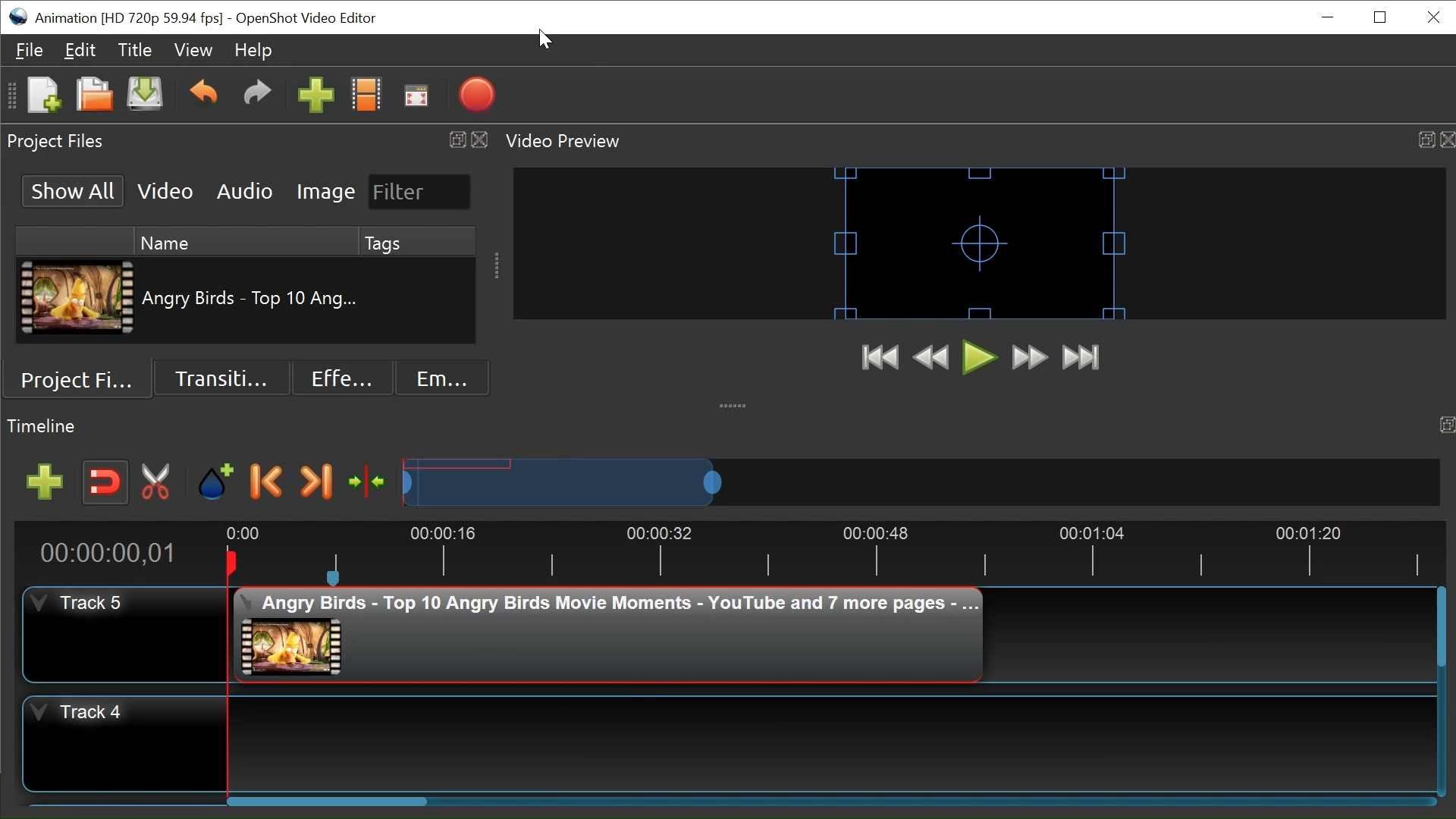  I want to click on Previous Marker, so click(265, 480).